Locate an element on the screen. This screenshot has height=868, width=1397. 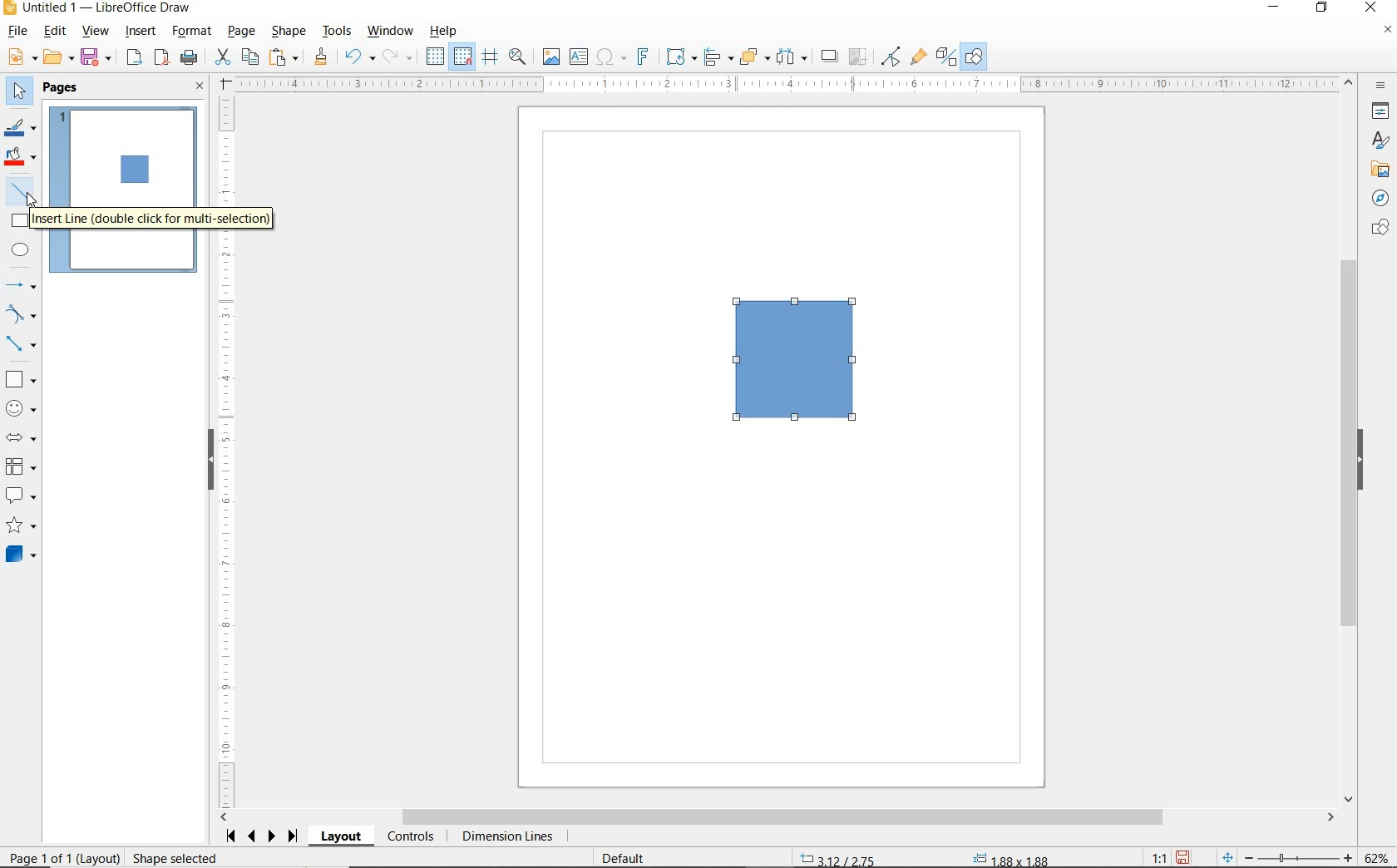
LINES AND ARROWS is located at coordinates (22, 285).